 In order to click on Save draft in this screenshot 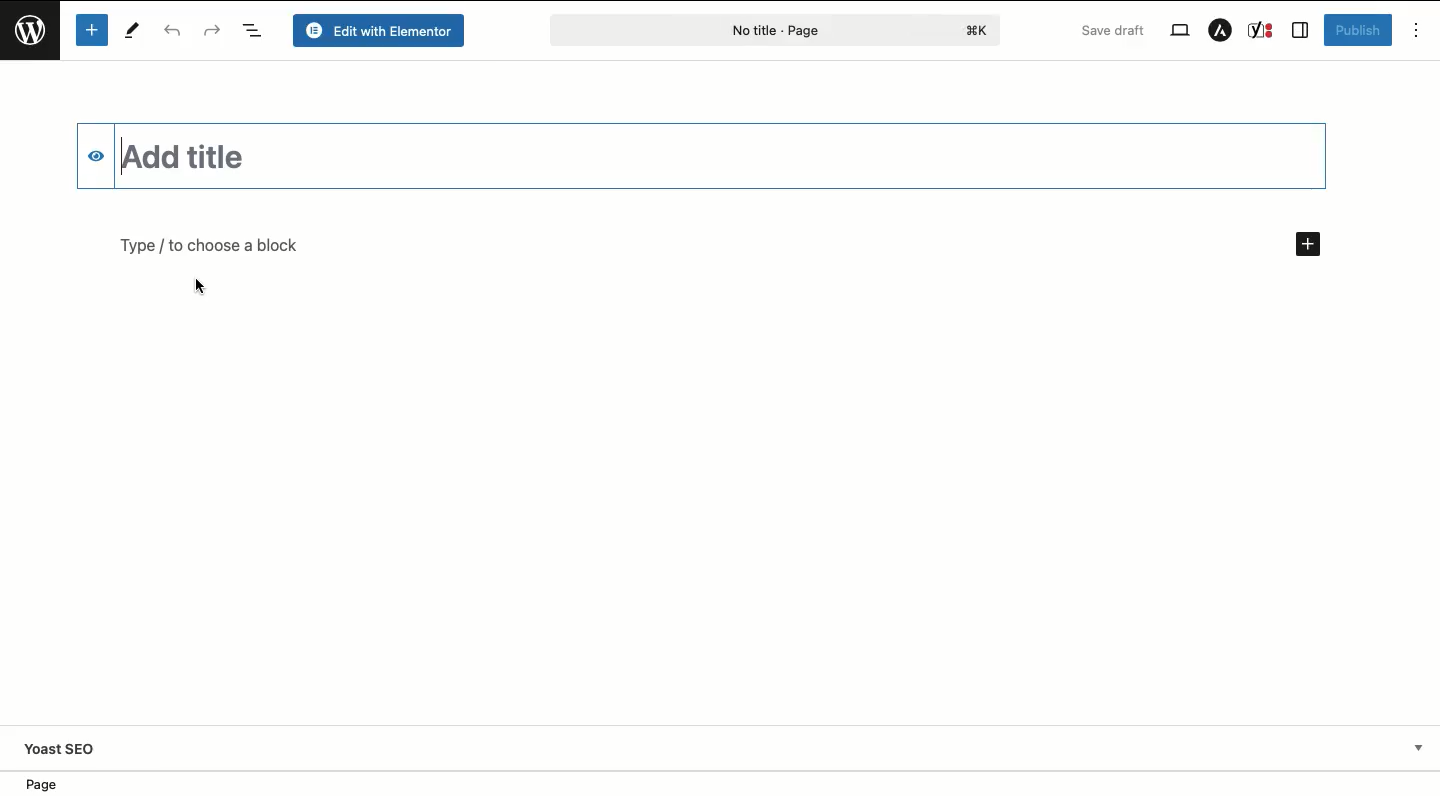, I will do `click(1115, 31)`.